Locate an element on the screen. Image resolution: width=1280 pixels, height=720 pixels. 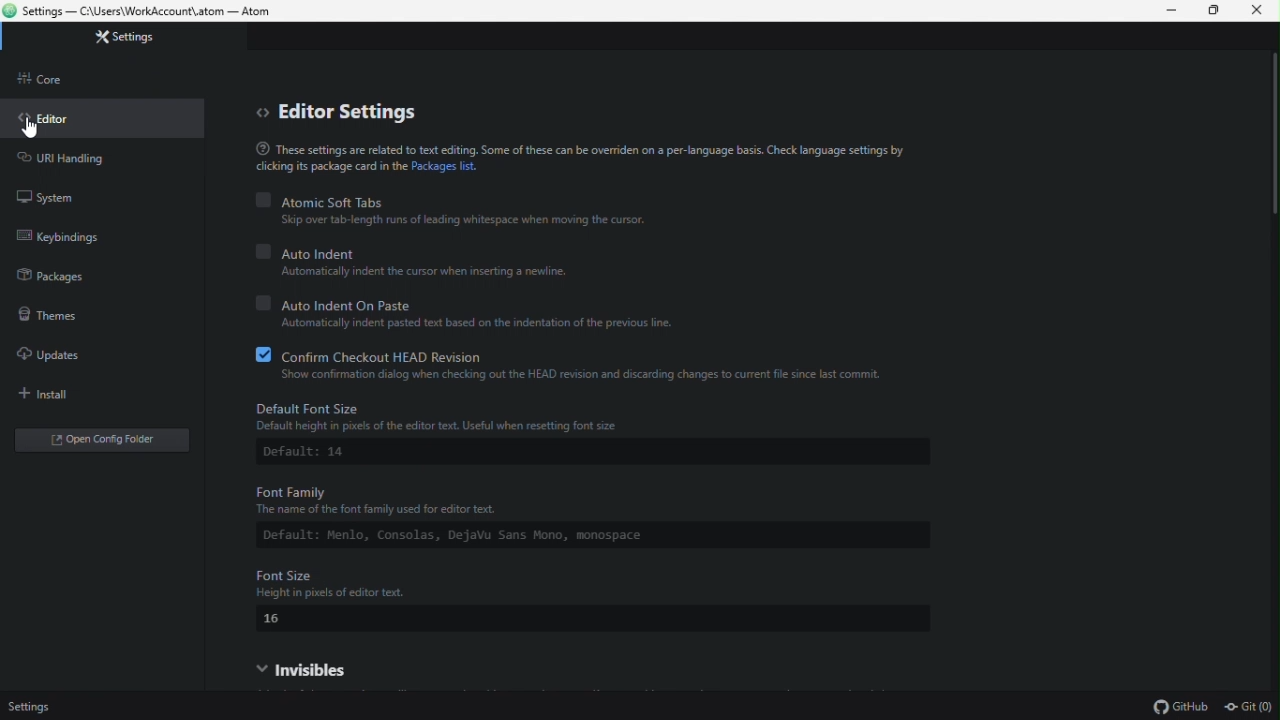
URL handling is located at coordinates (79, 160).